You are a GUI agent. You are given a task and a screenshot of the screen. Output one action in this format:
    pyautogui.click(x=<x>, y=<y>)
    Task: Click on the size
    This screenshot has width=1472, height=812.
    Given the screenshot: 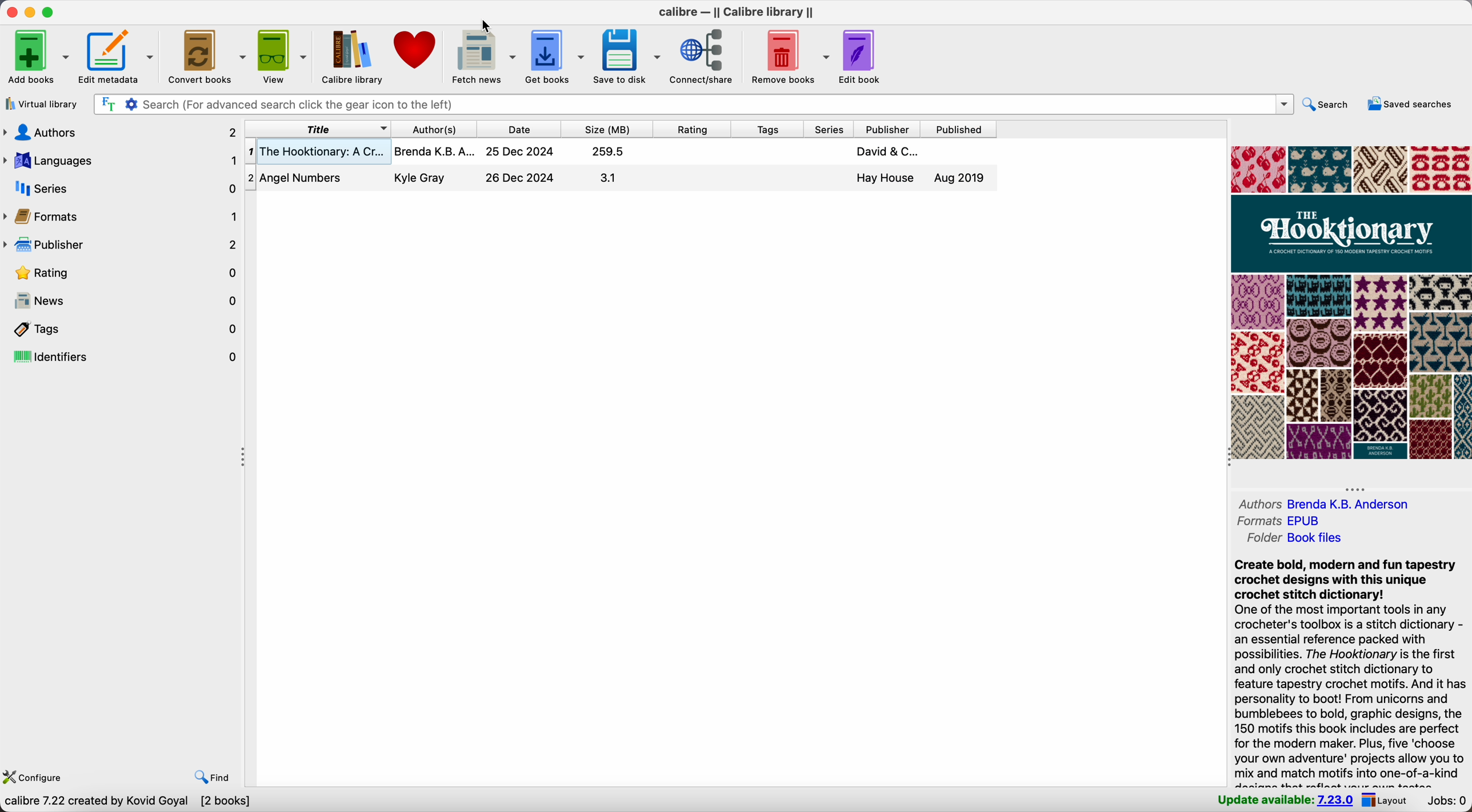 What is the action you would take?
    pyautogui.click(x=608, y=130)
    